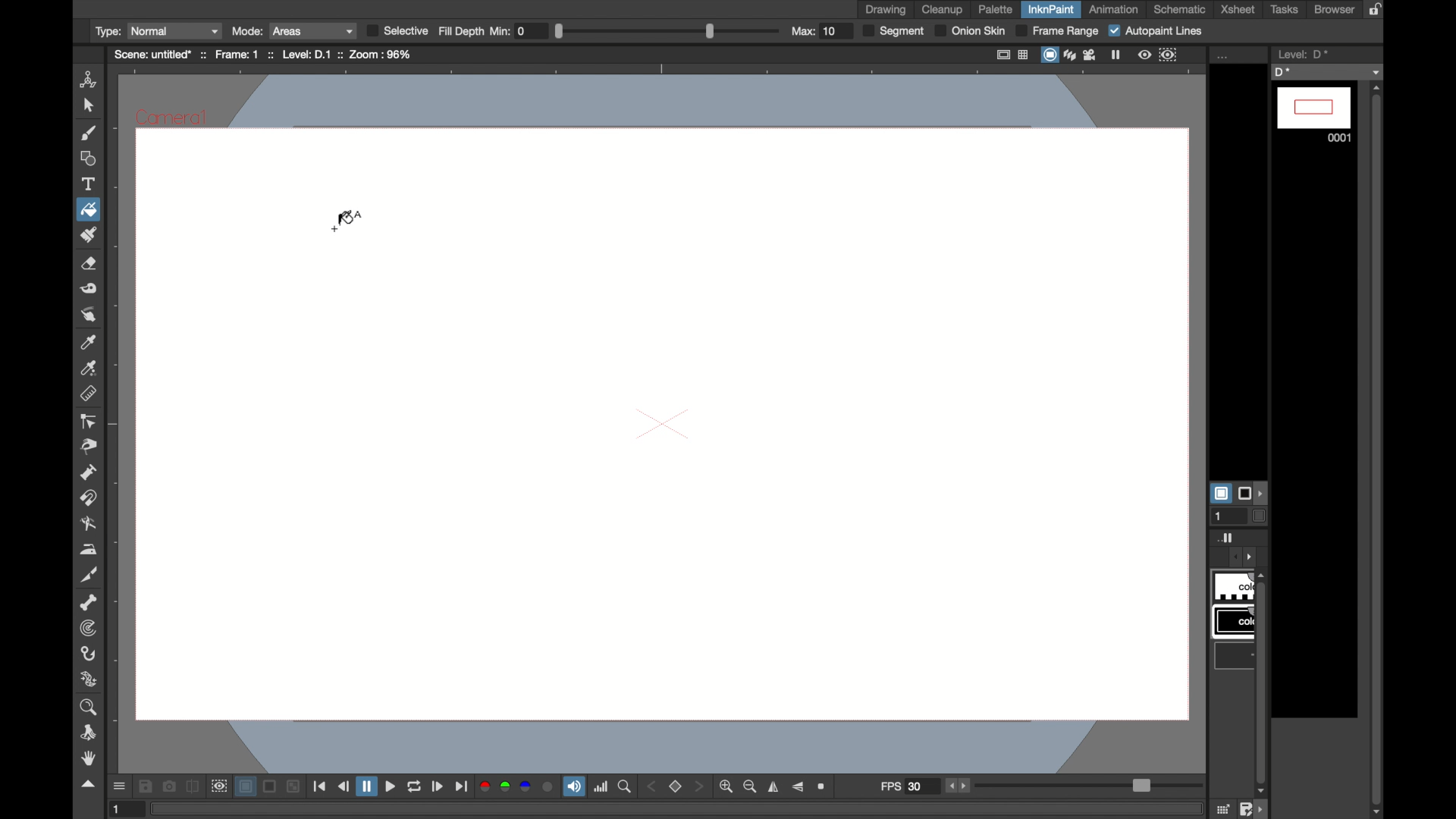 The height and width of the screenshot is (819, 1456). Describe the element at coordinates (625, 787) in the screenshot. I see `zoom` at that location.